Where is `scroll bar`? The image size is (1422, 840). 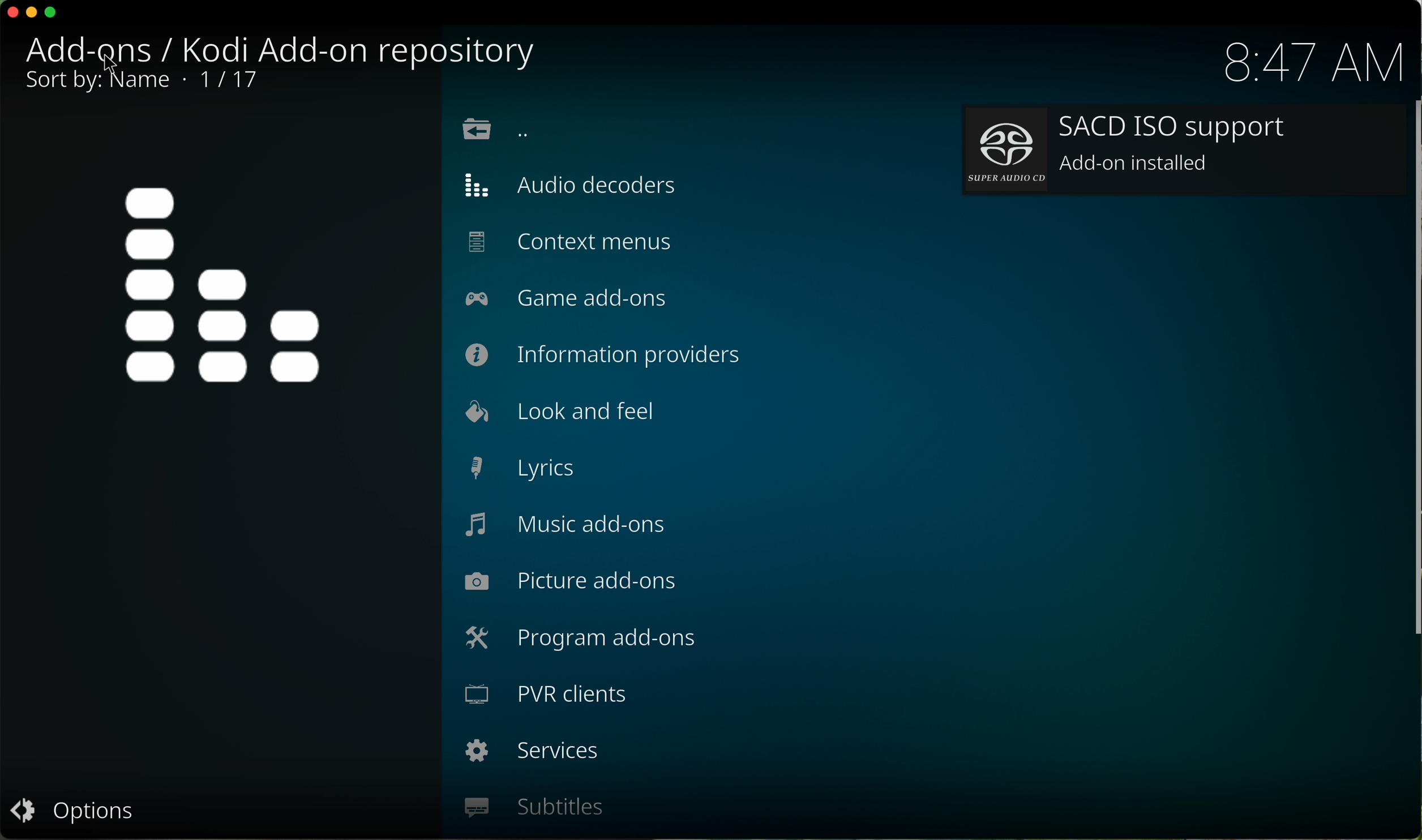
scroll bar is located at coordinates (1413, 381).